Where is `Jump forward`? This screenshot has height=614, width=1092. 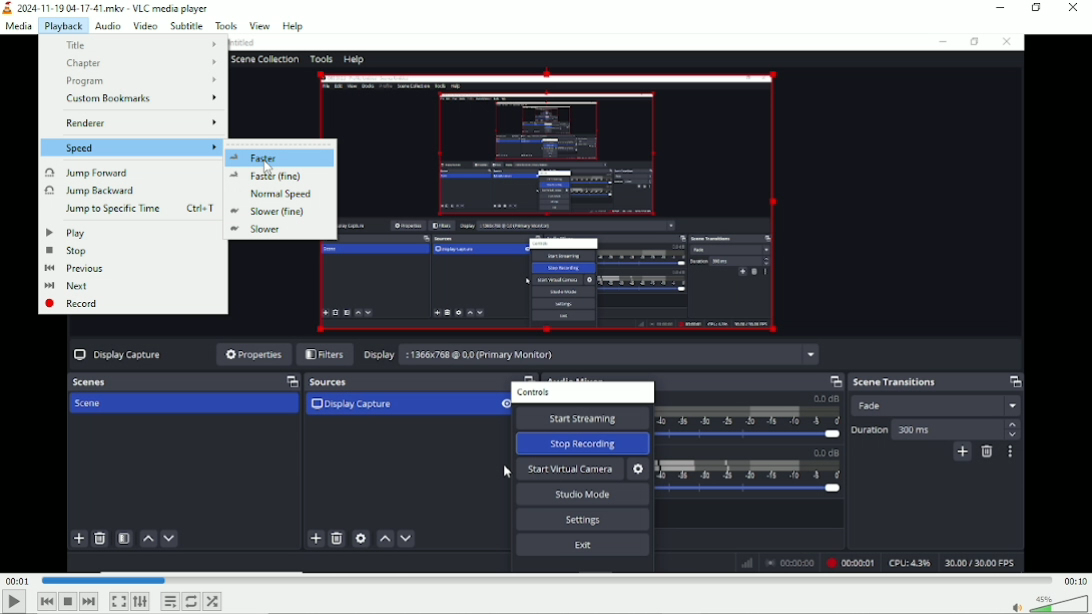 Jump forward is located at coordinates (127, 171).